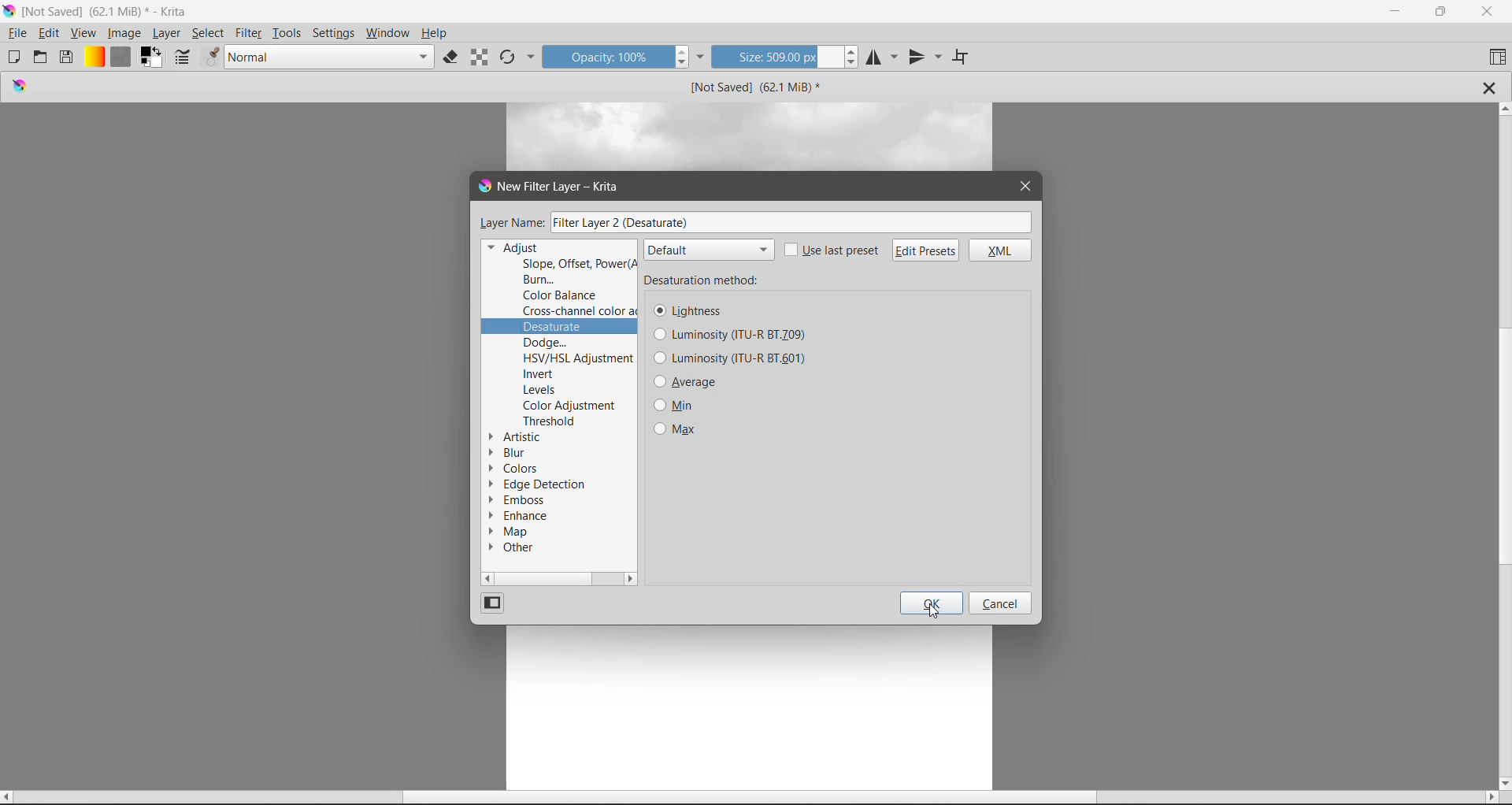  Describe the element at coordinates (512, 532) in the screenshot. I see `Map` at that location.